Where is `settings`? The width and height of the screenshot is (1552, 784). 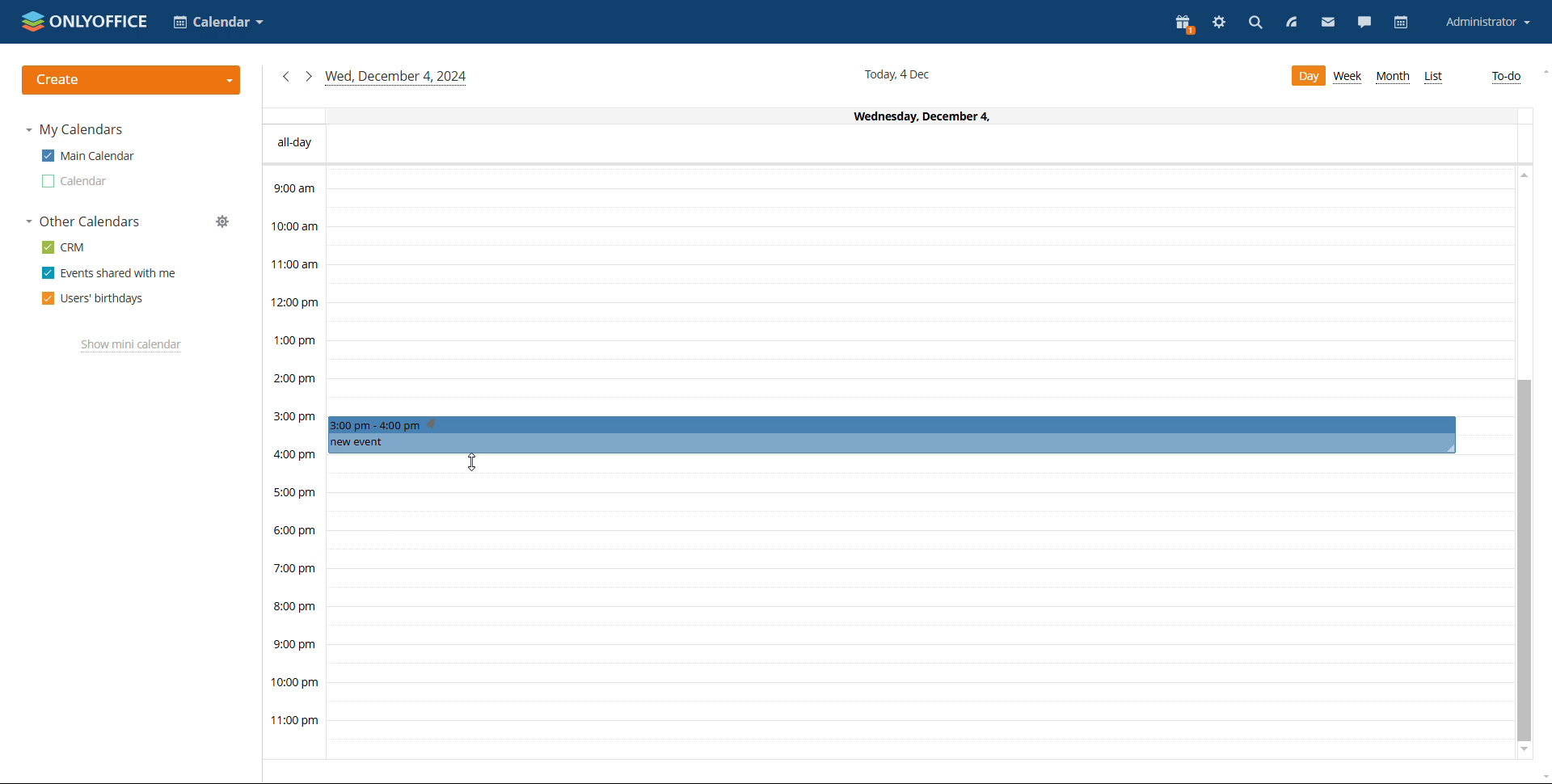
settings is located at coordinates (1219, 24).